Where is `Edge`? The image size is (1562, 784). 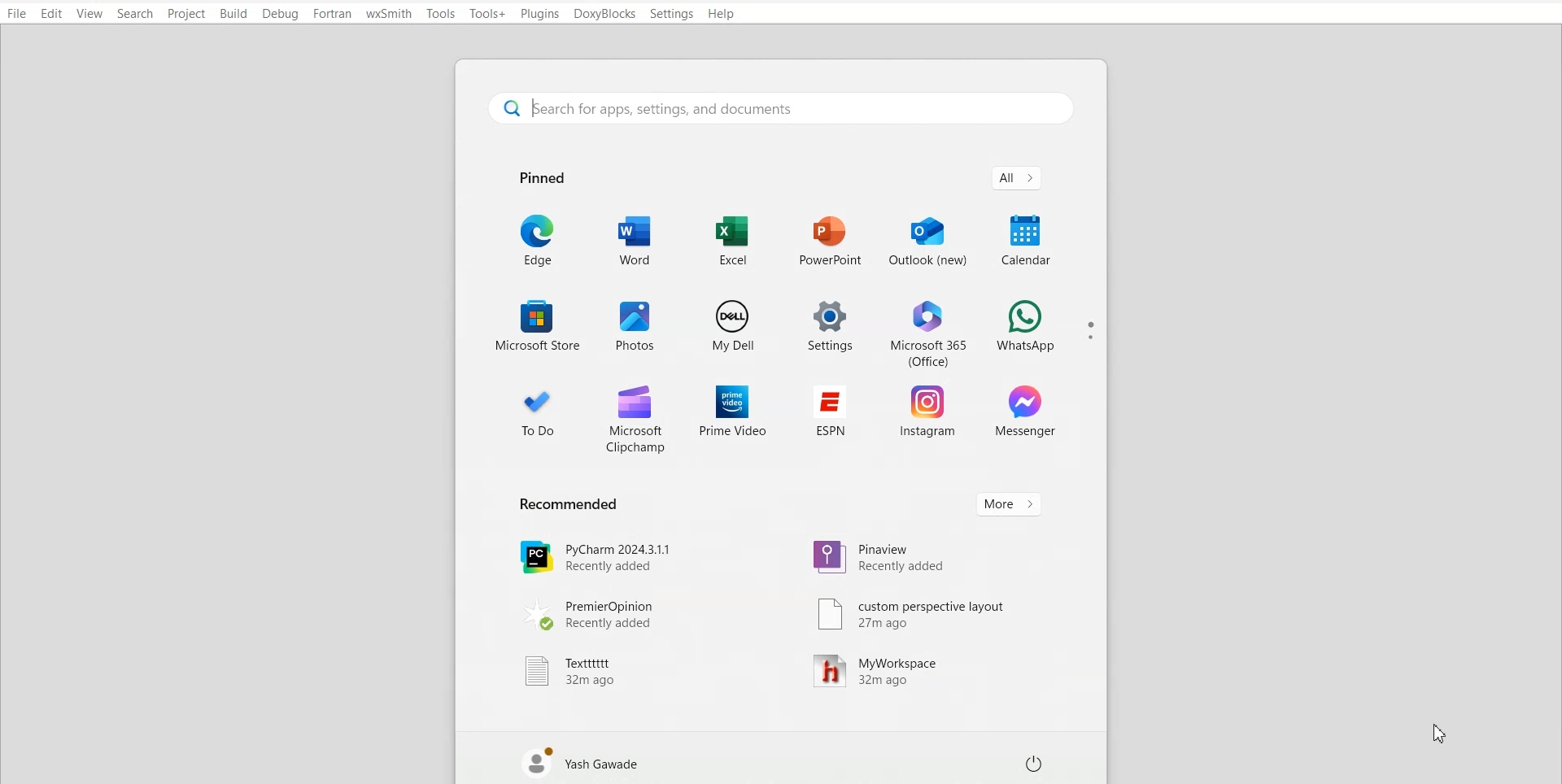 Edge is located at coordinates (539, 239).